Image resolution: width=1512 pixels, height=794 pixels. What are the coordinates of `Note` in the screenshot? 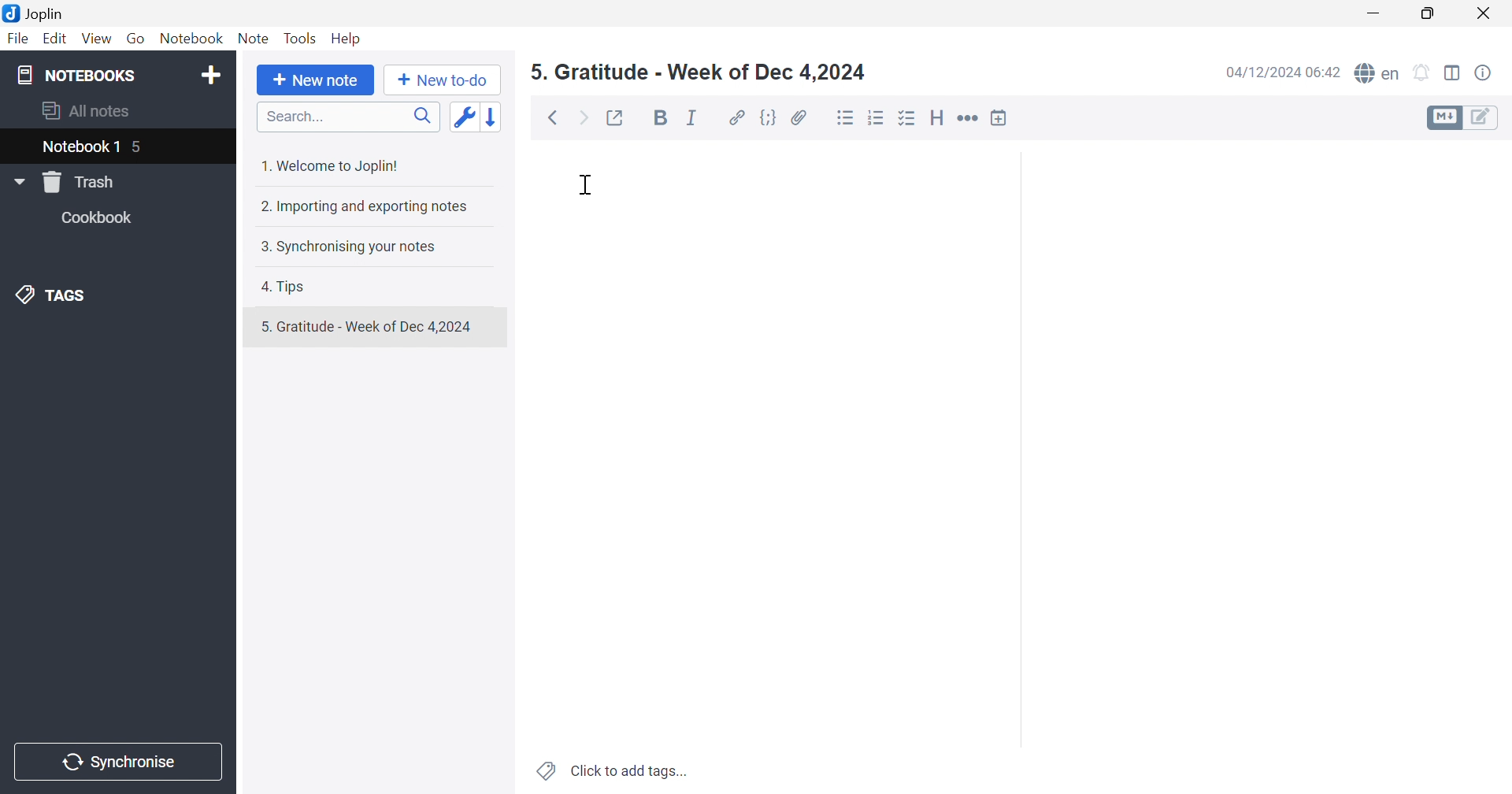 It's located at (253, 37).